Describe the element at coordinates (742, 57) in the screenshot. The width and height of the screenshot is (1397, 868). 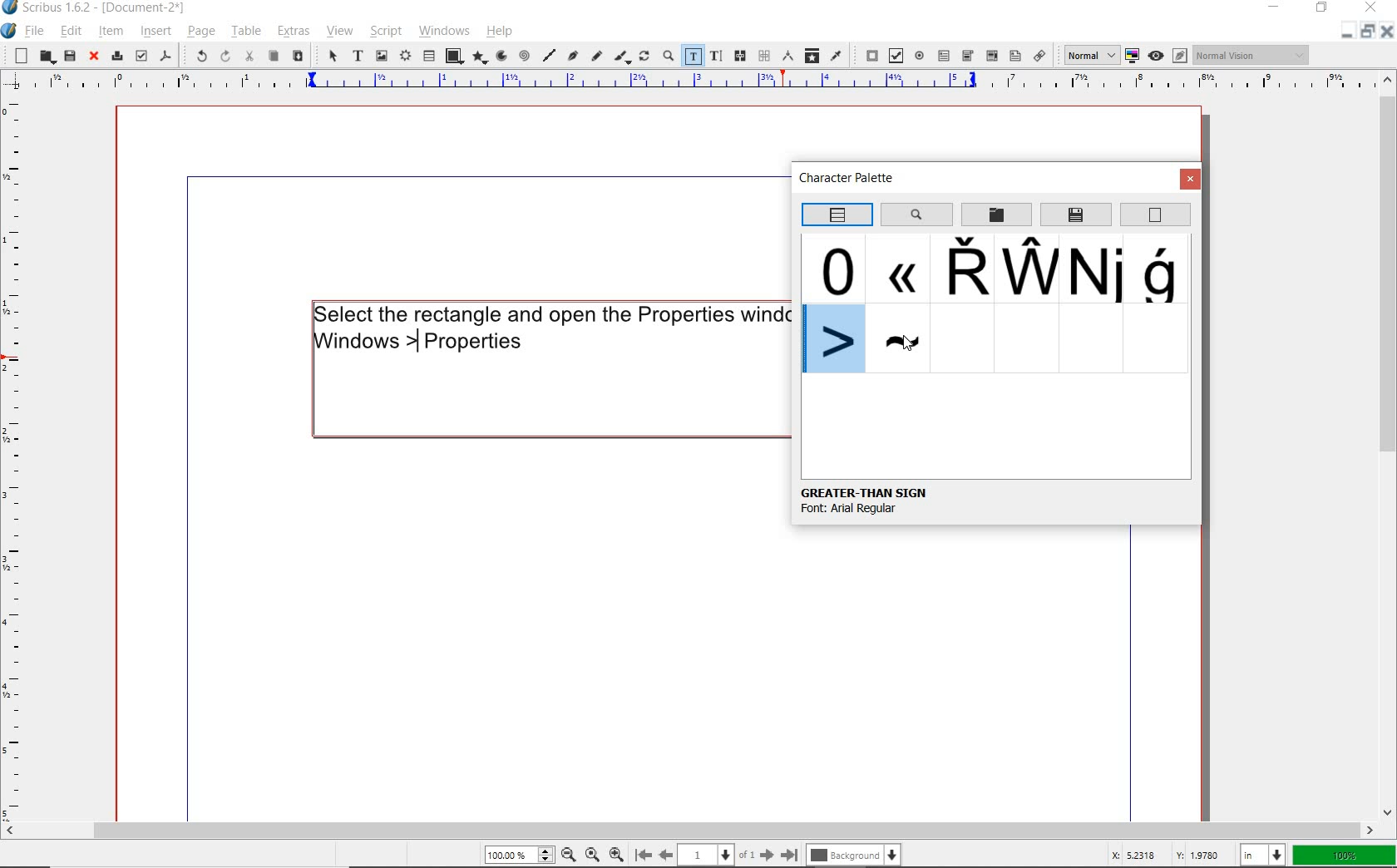
I see `link text frames` at that location.